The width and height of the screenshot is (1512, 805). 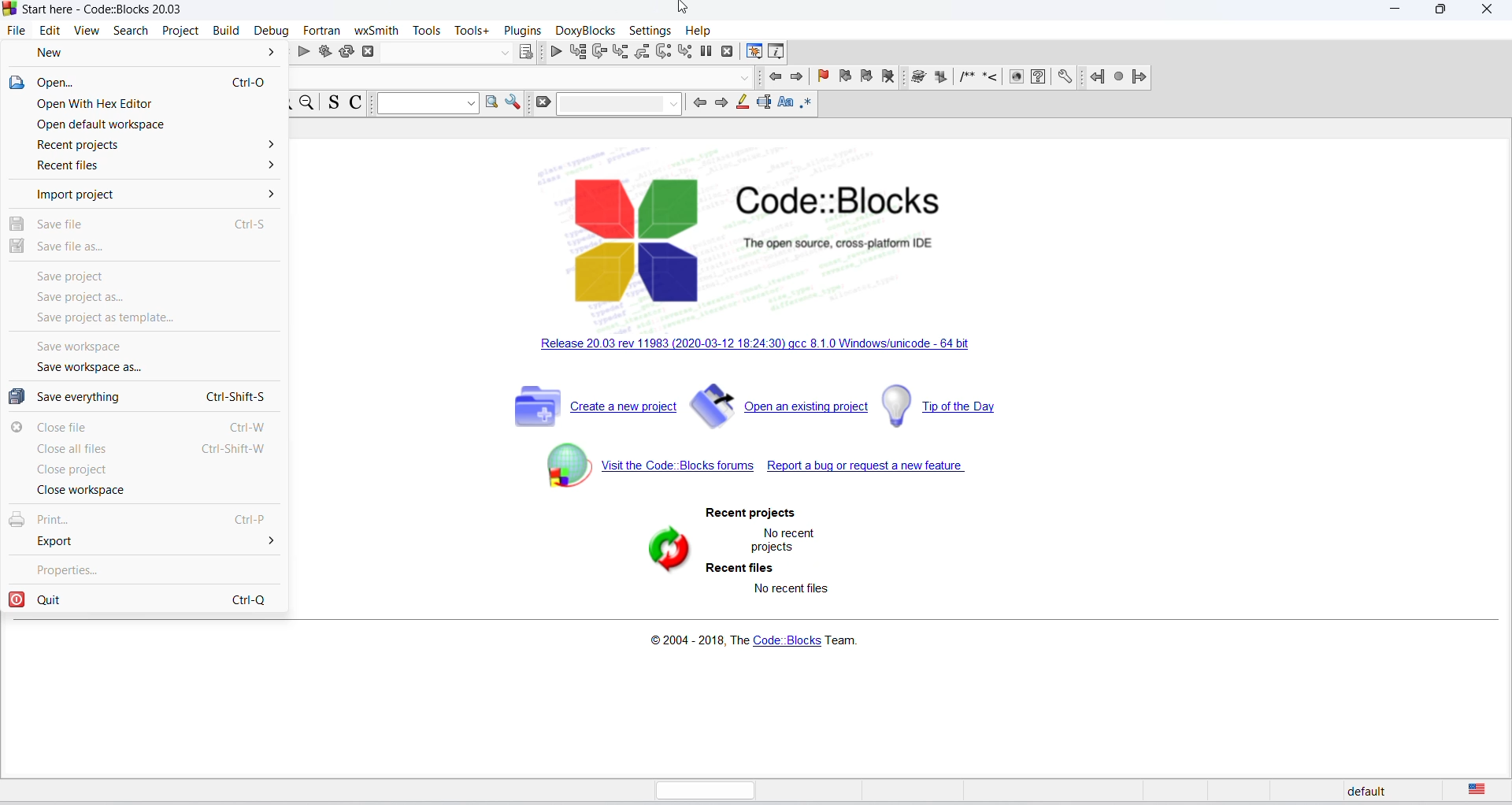 I want to click on report bug, so click(x=890, y=467).